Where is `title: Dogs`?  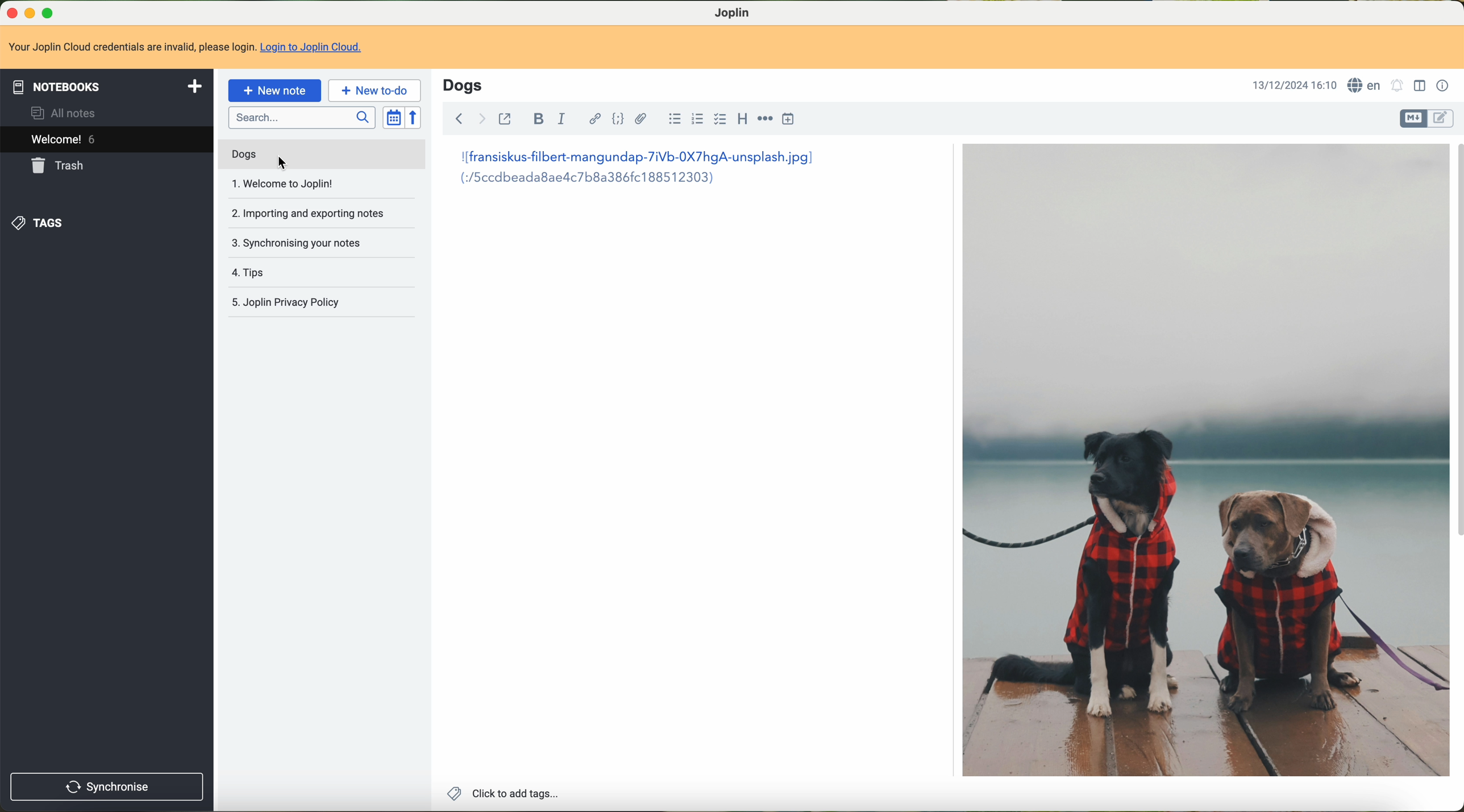 title: Dogs is located at coordinates (463, 85).